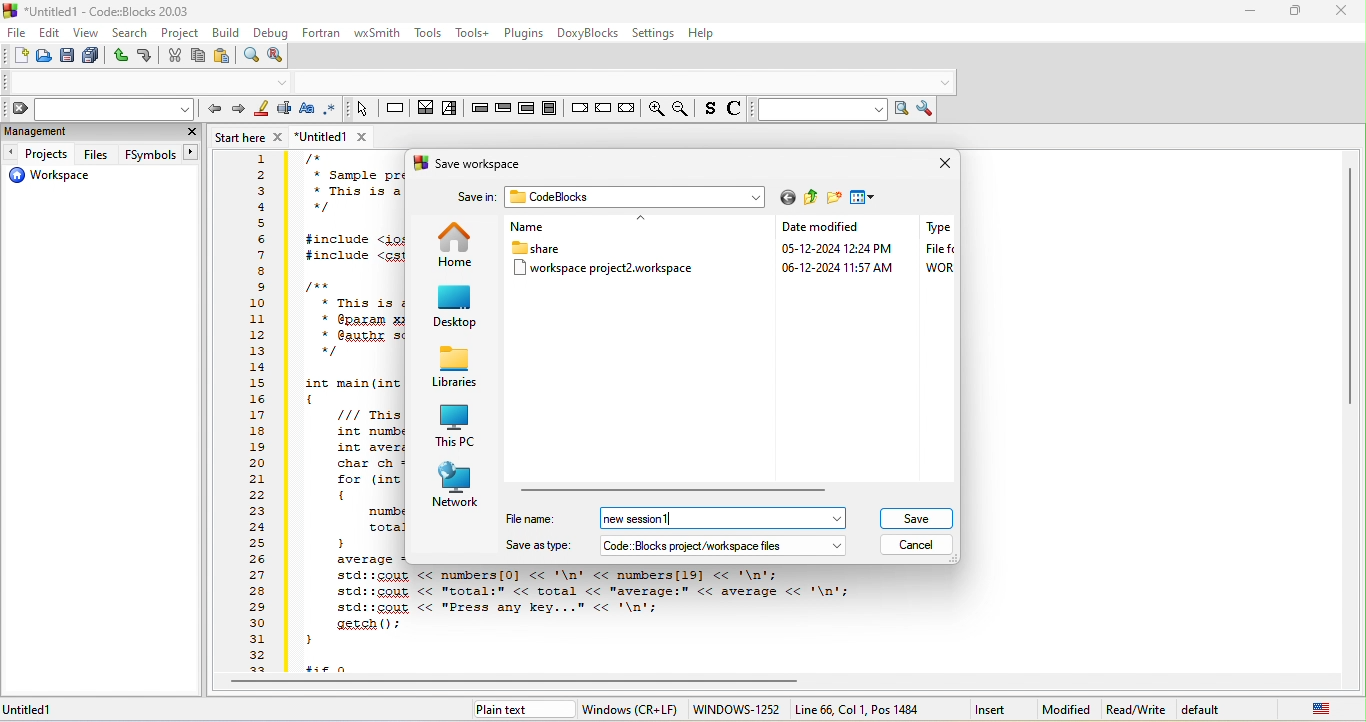 This screenshot has height=722, width=1366. What do you see at coordinates (945, 83) in the screenshot?
I see `dropdown` at bounding box center [945, 83].